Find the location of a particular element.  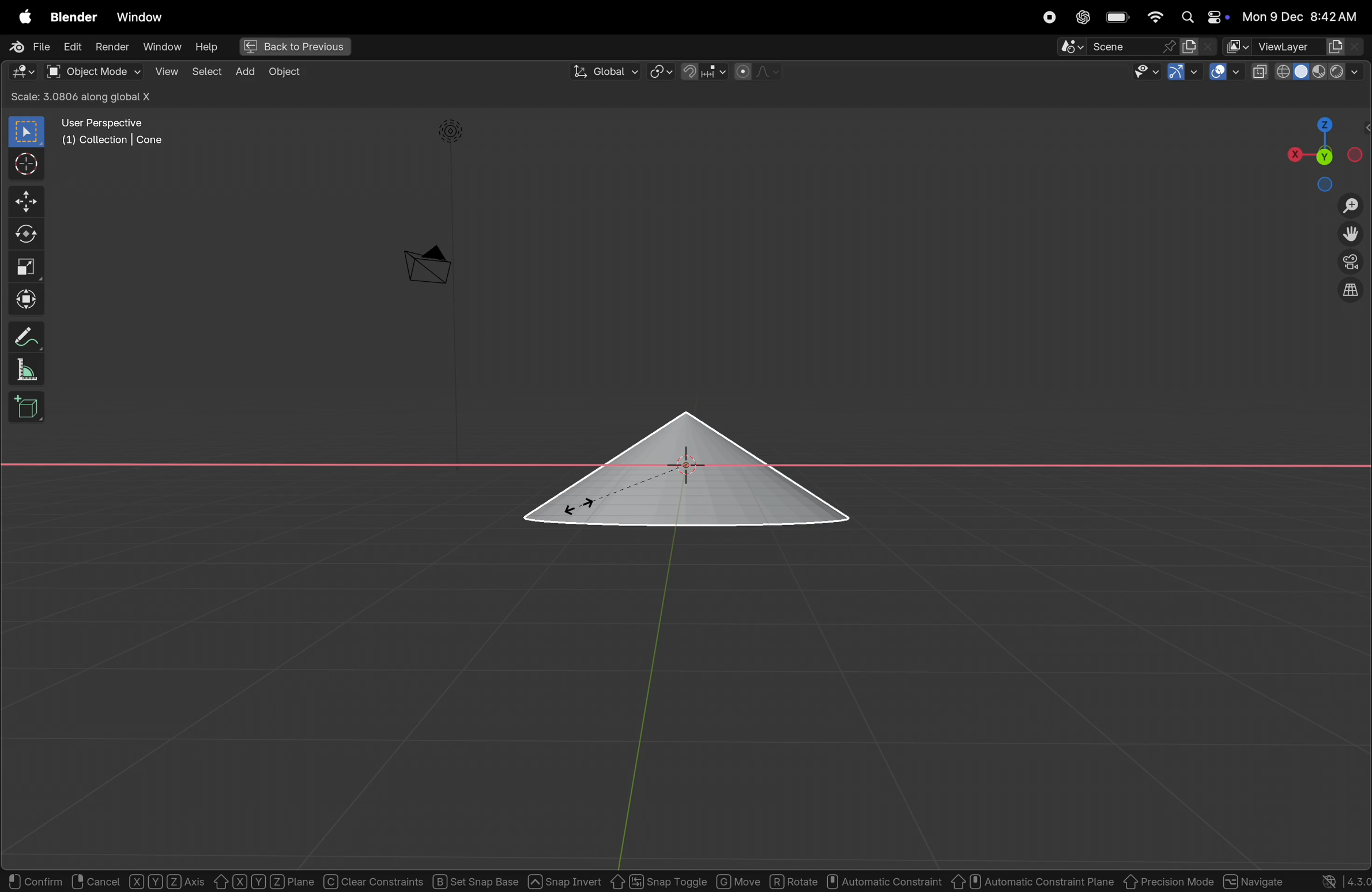

Object is located at coordinates (288, 72).